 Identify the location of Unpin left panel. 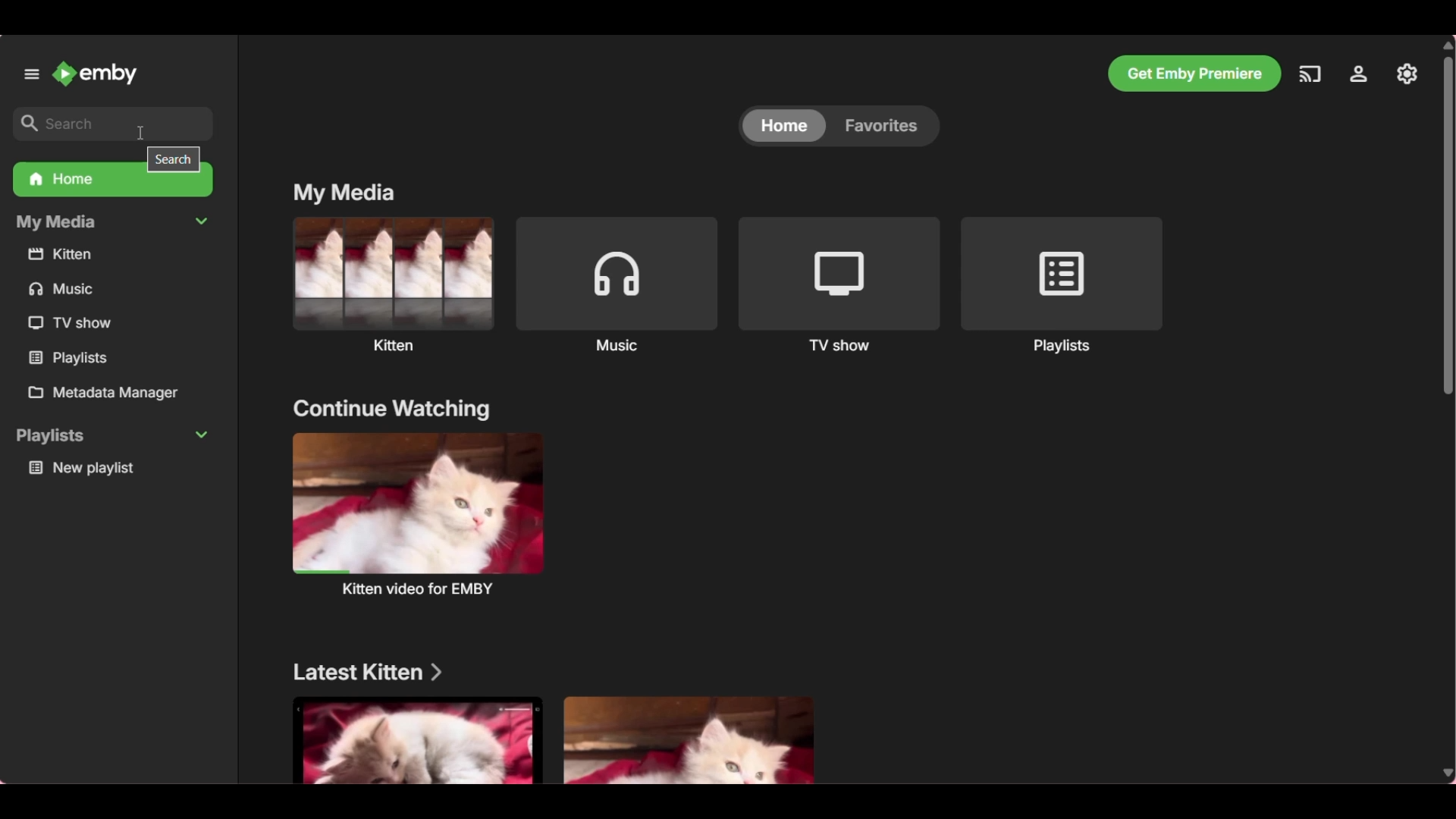
(30, 73).